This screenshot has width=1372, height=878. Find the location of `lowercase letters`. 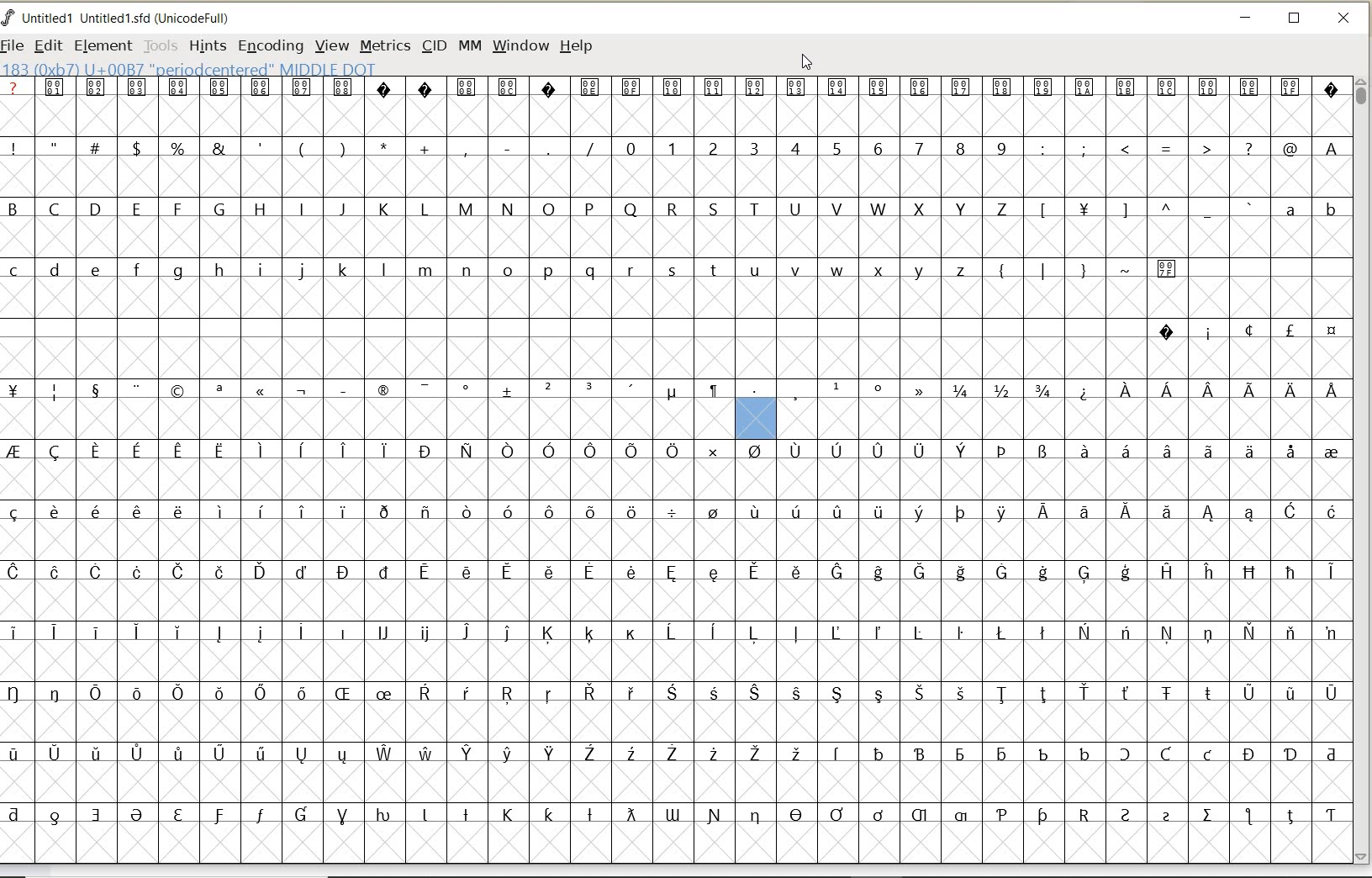

lowercase letters is located at coordinates (491, 273).